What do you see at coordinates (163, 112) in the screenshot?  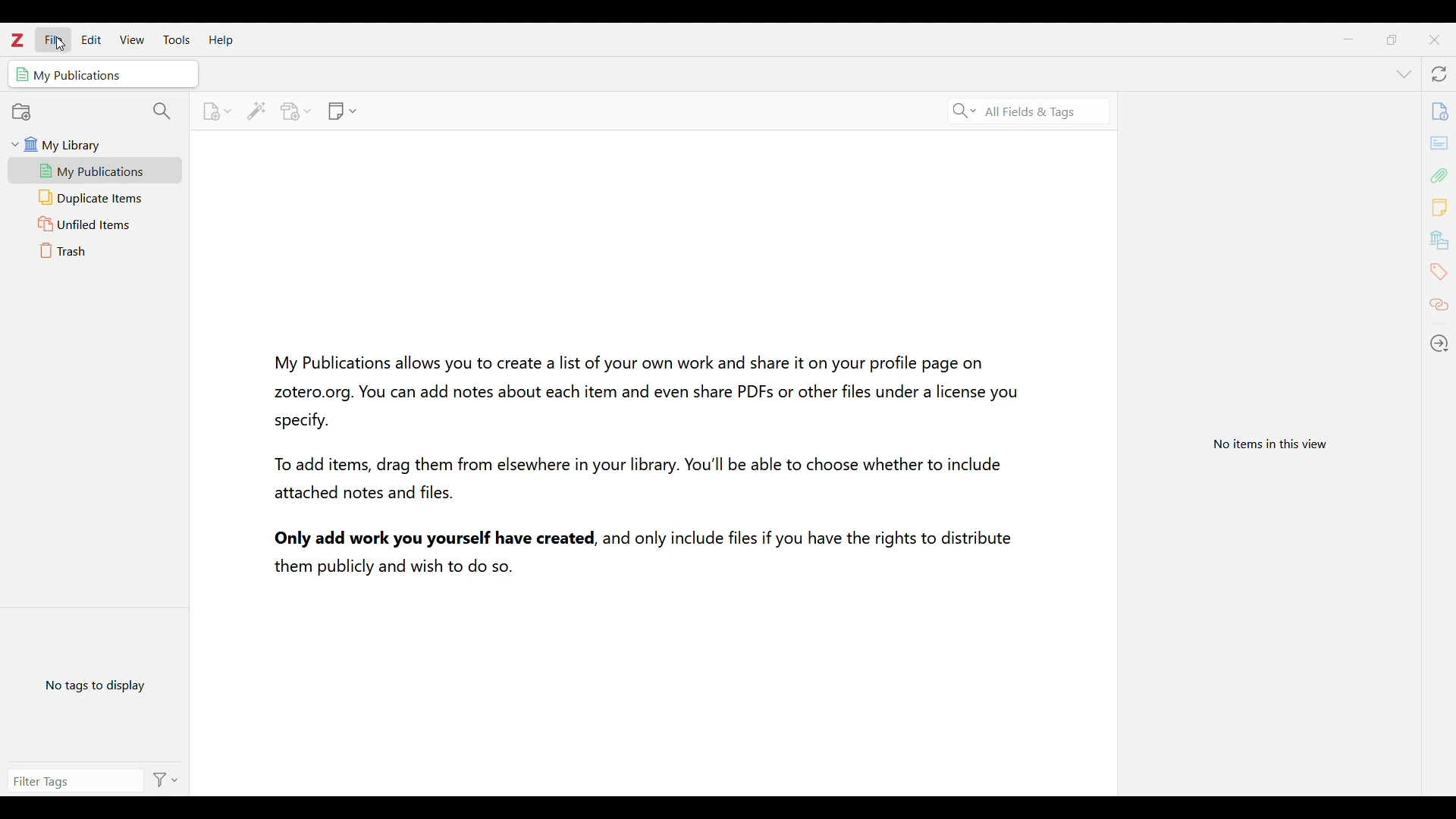 I see `Filter collections` at bounding box center [163, 112].